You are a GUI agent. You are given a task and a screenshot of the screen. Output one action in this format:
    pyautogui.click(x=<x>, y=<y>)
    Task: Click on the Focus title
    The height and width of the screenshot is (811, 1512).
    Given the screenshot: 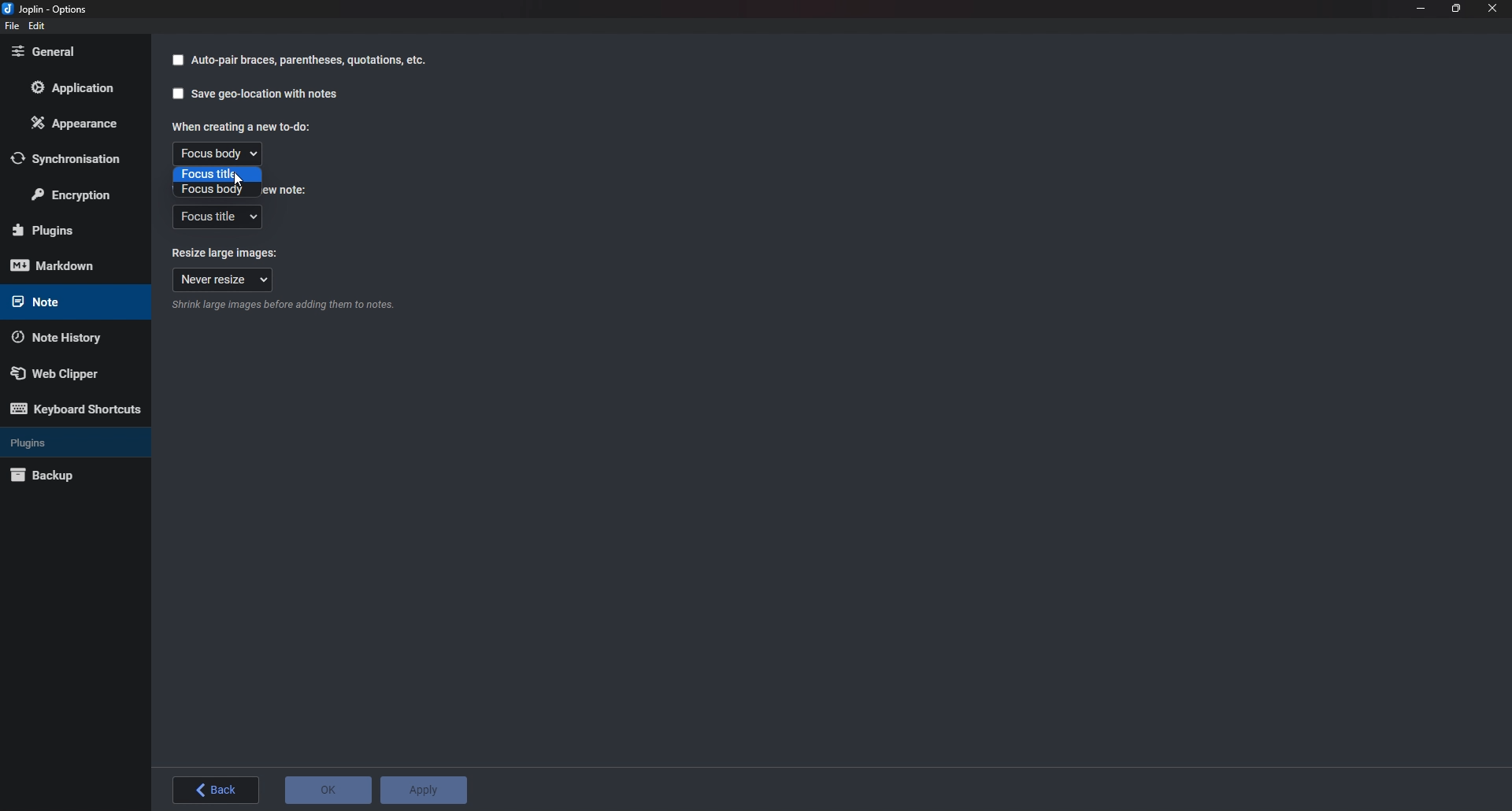 What is the action you would take?
    pyautogui.click(x=217, y=174)
    